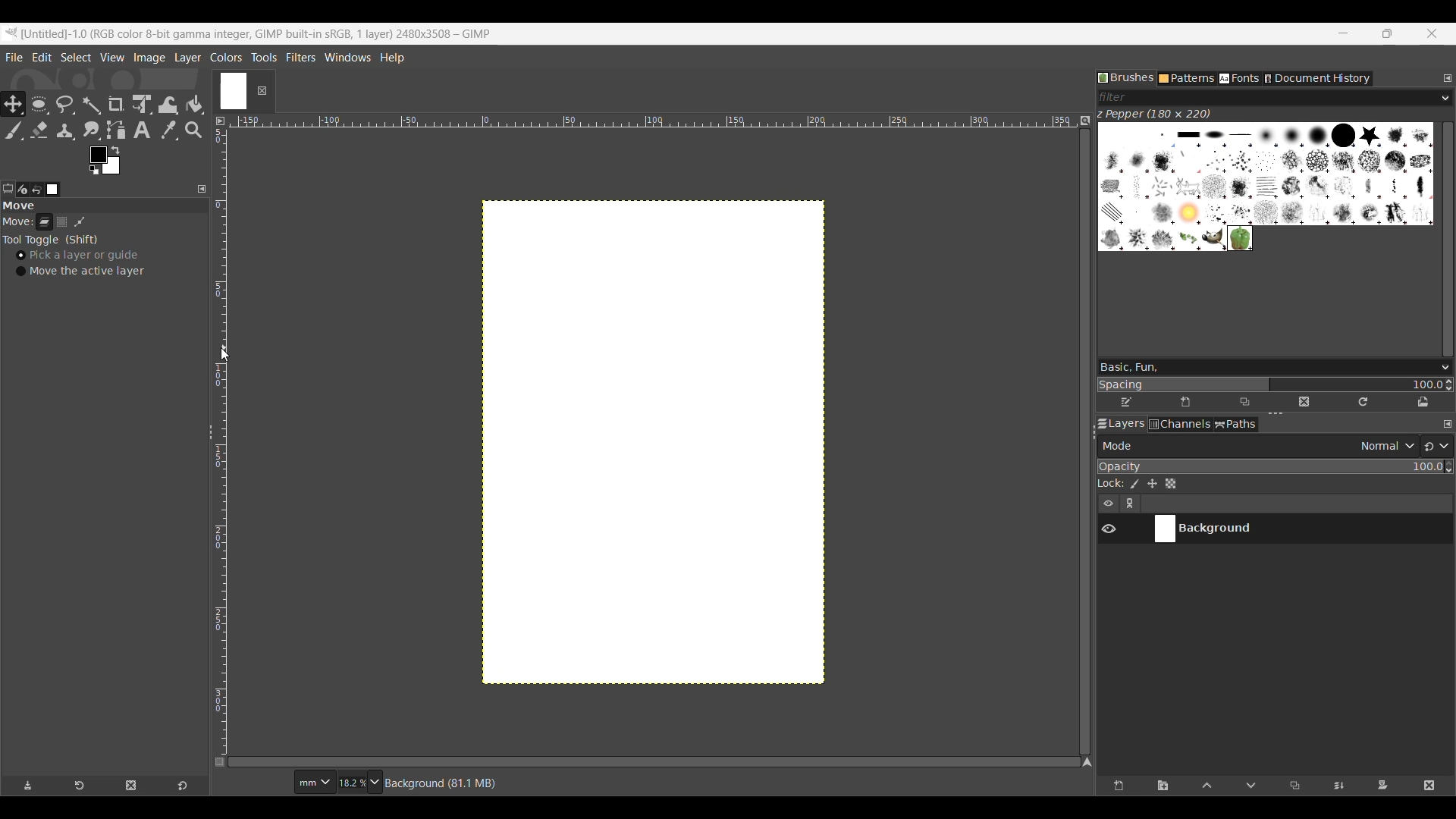 The height and width of the screenshot is (819, 1456). What do you see at coordinates (111, 57) in the screenshot?
I see `View menu` at bounding box center [111, 57].